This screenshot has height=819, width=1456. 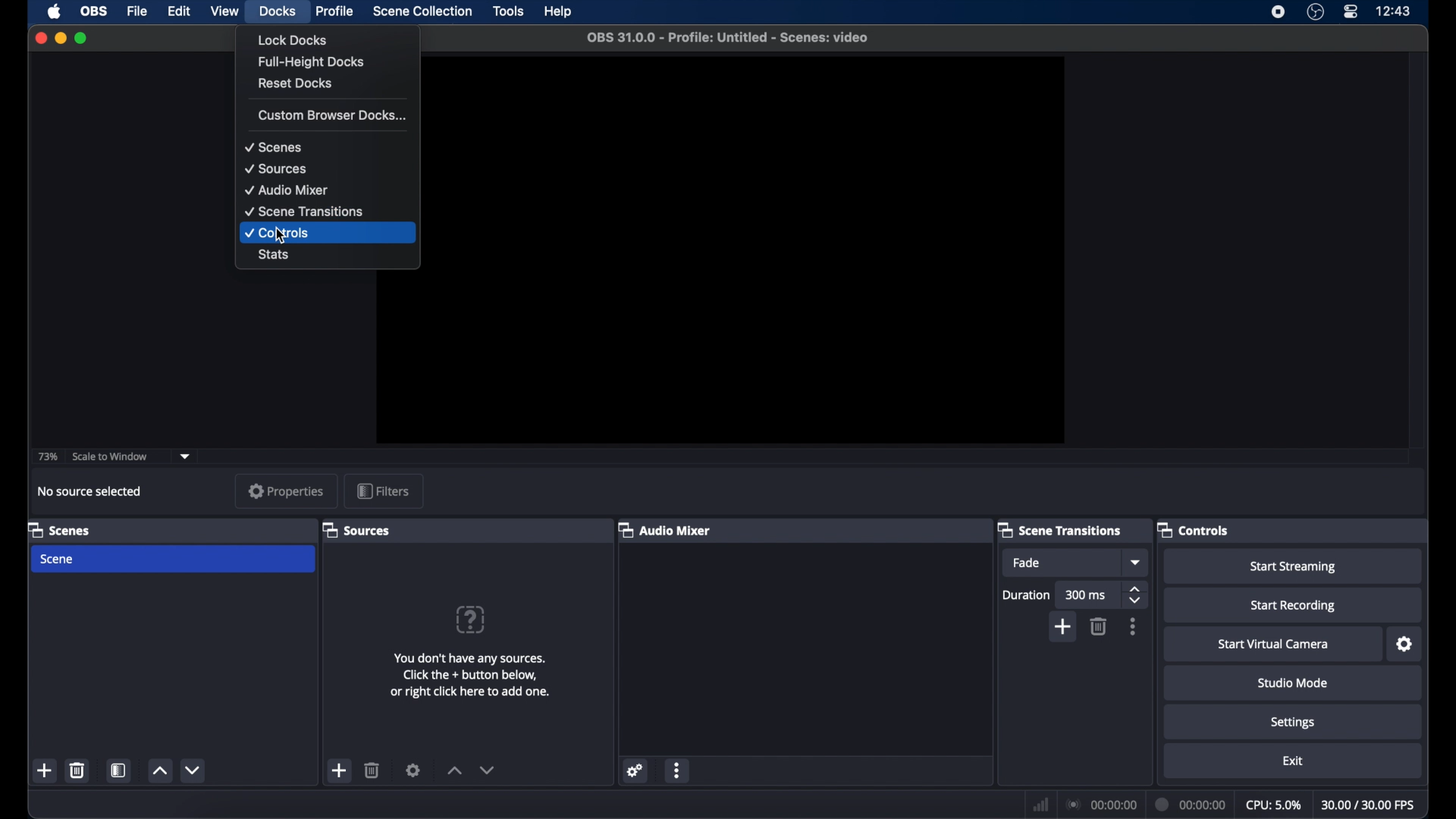 I want to click on question mark icon, so click(x=472, y=619).